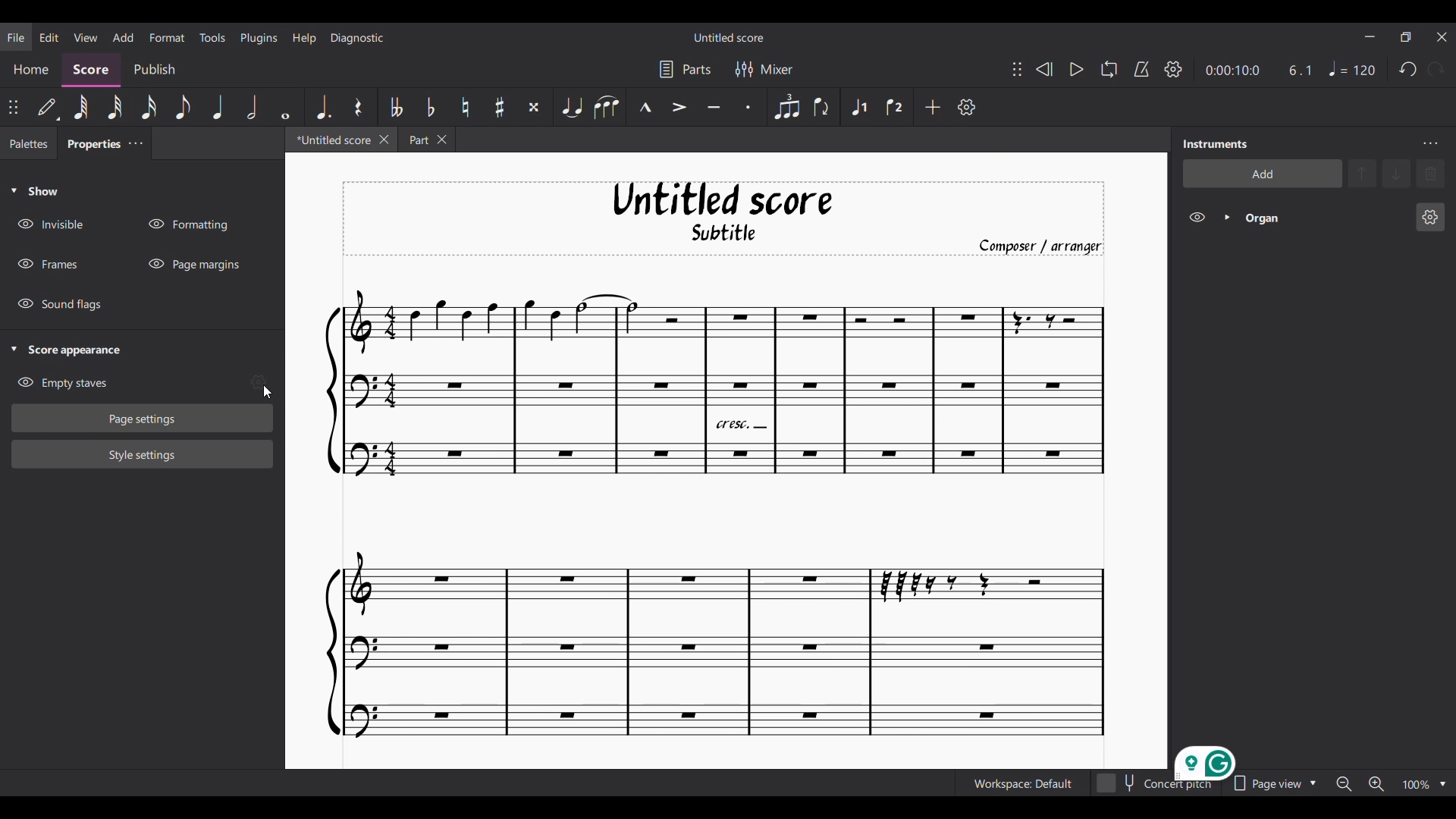 This screenshot has height=819, width=1456. What do you see at coordinates (1370, 36) in the screenshot?
I see `Minimize` at bounding box center [1370, 36].